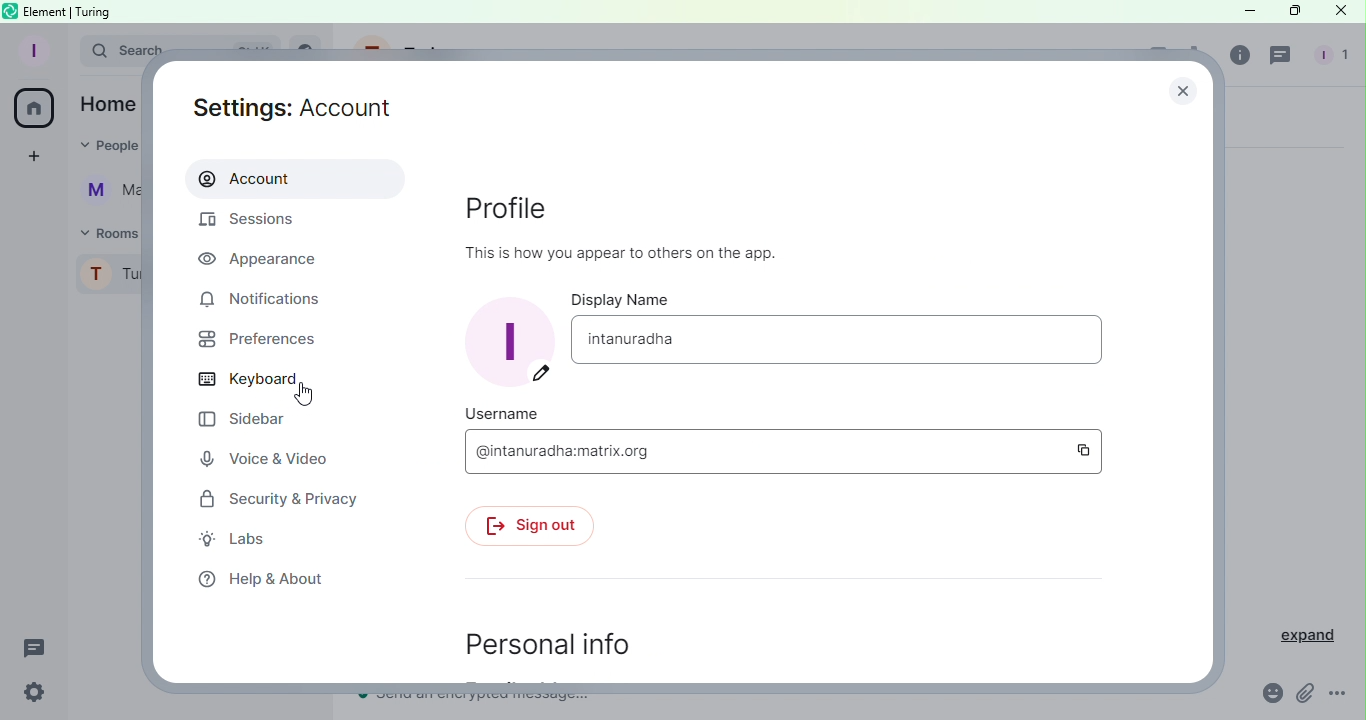 This screenshot has height=720, width=1366. I want to click on Close, so click(1187, 86).